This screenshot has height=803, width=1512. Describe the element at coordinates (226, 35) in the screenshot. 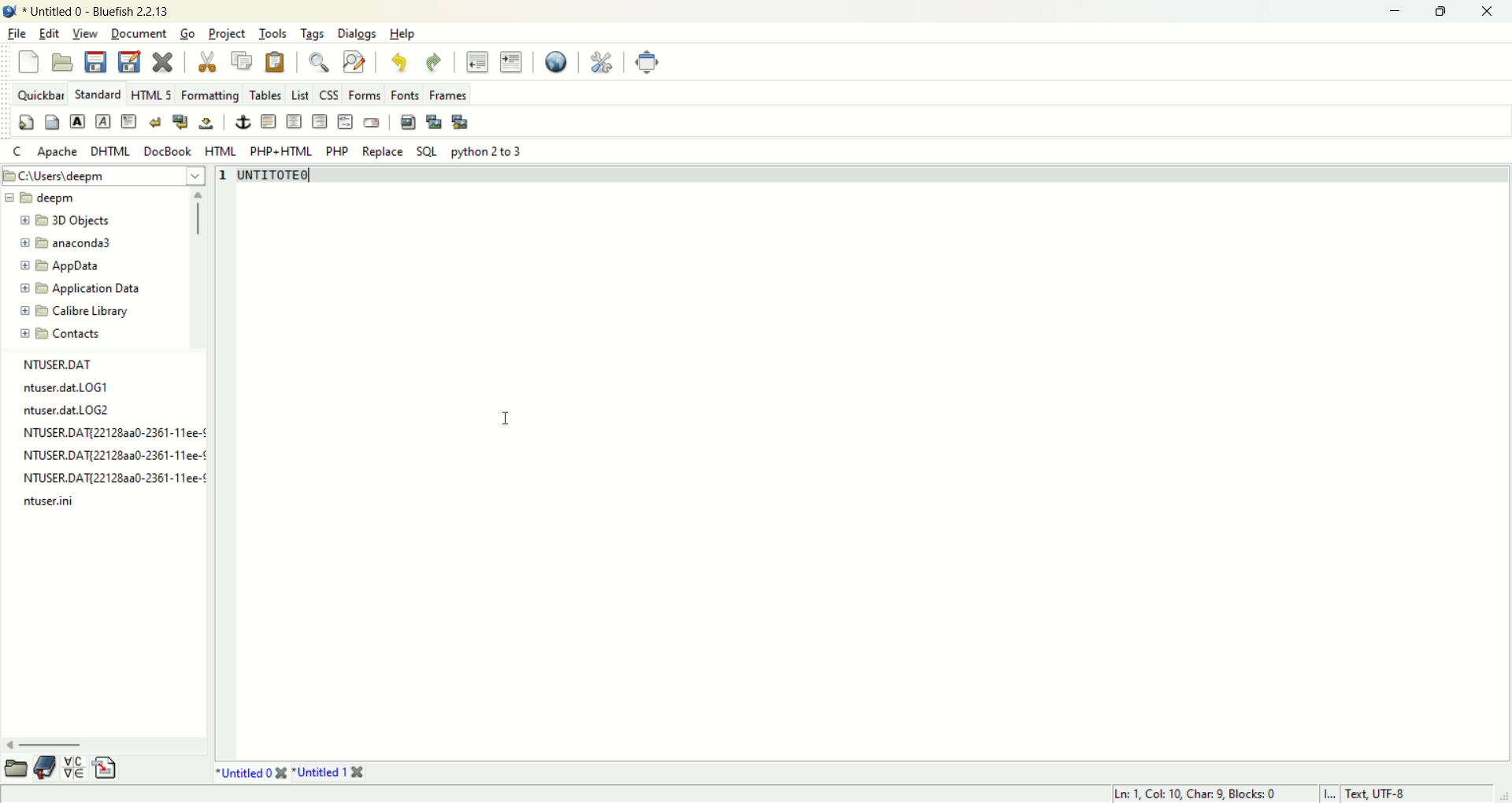

I see `project` at that location.